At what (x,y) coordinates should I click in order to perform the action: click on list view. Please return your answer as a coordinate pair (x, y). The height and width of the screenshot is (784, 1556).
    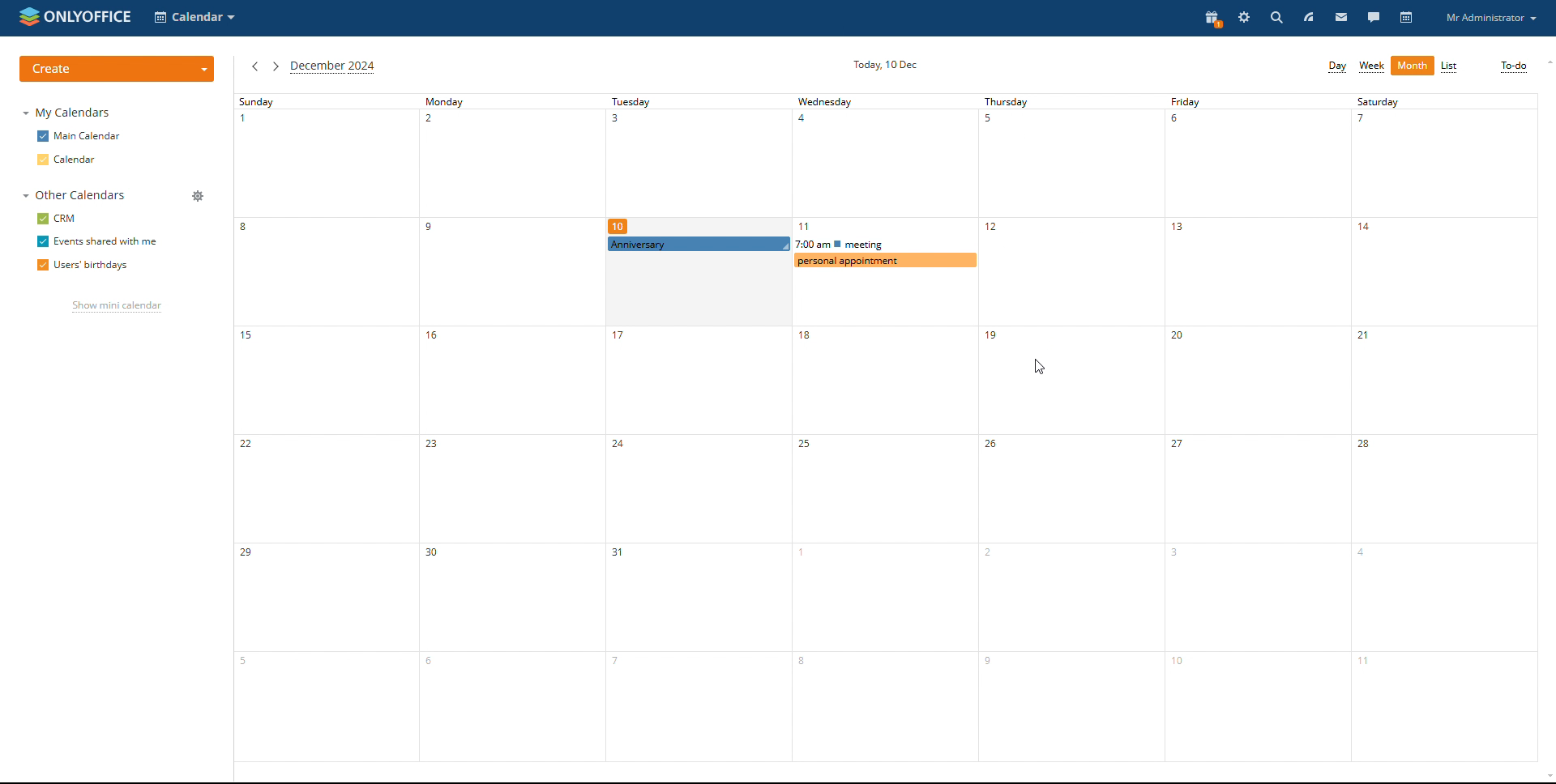
    Looking at the image, I should click on (1450, 66).